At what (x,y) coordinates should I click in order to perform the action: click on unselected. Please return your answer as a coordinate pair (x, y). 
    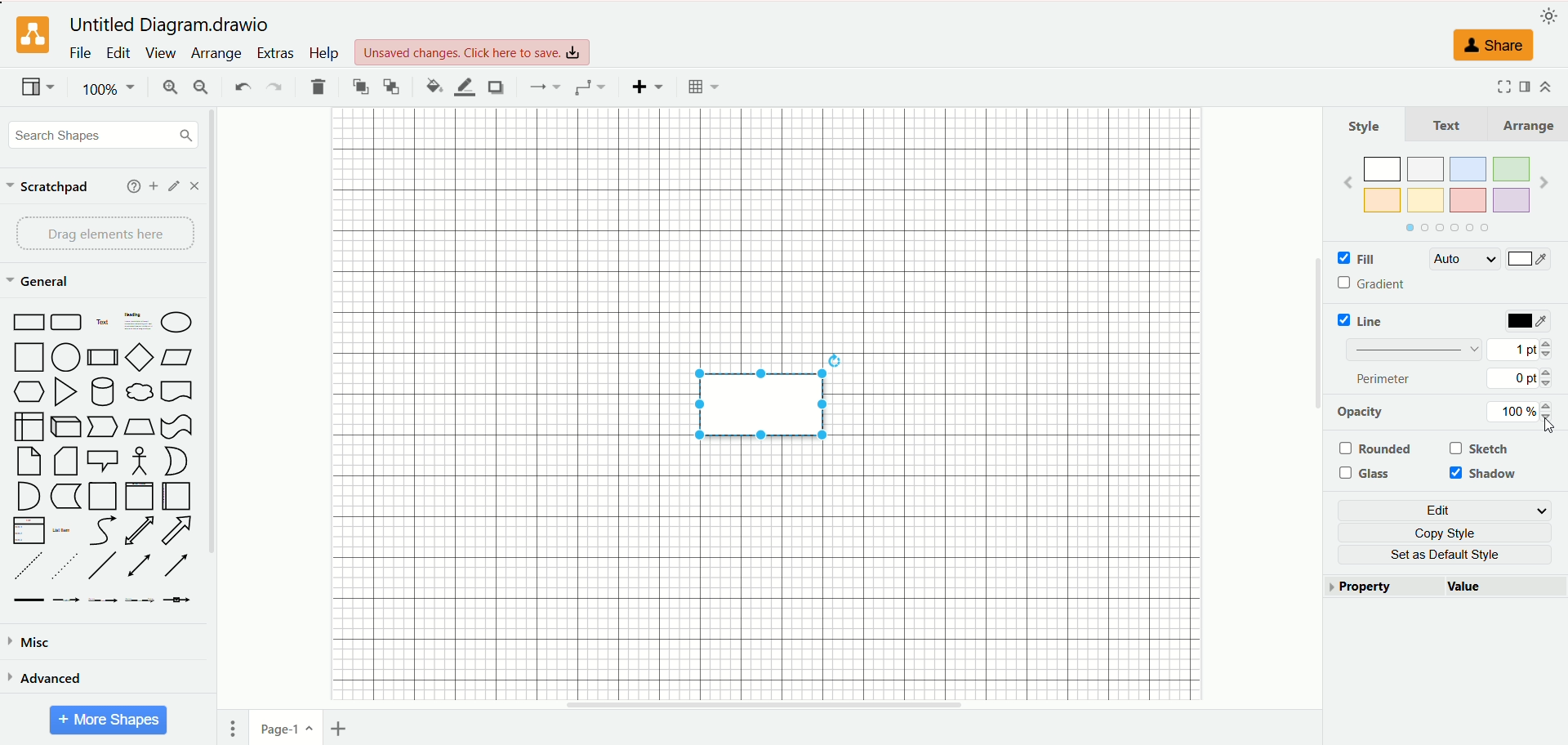
    Looking at the image, I should click on (1374, 448).